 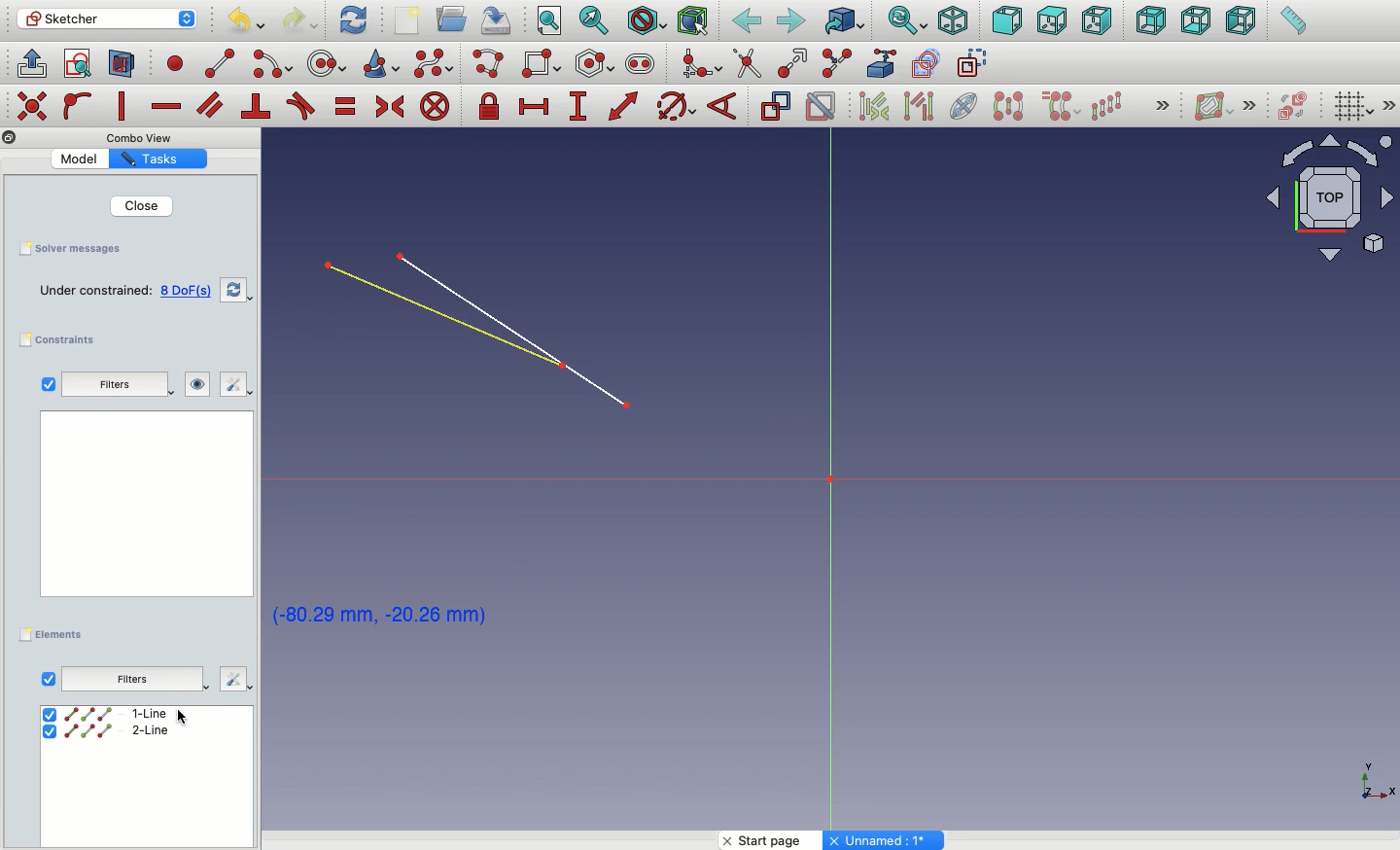 I want to click on Open, so click(x=454, y=18).